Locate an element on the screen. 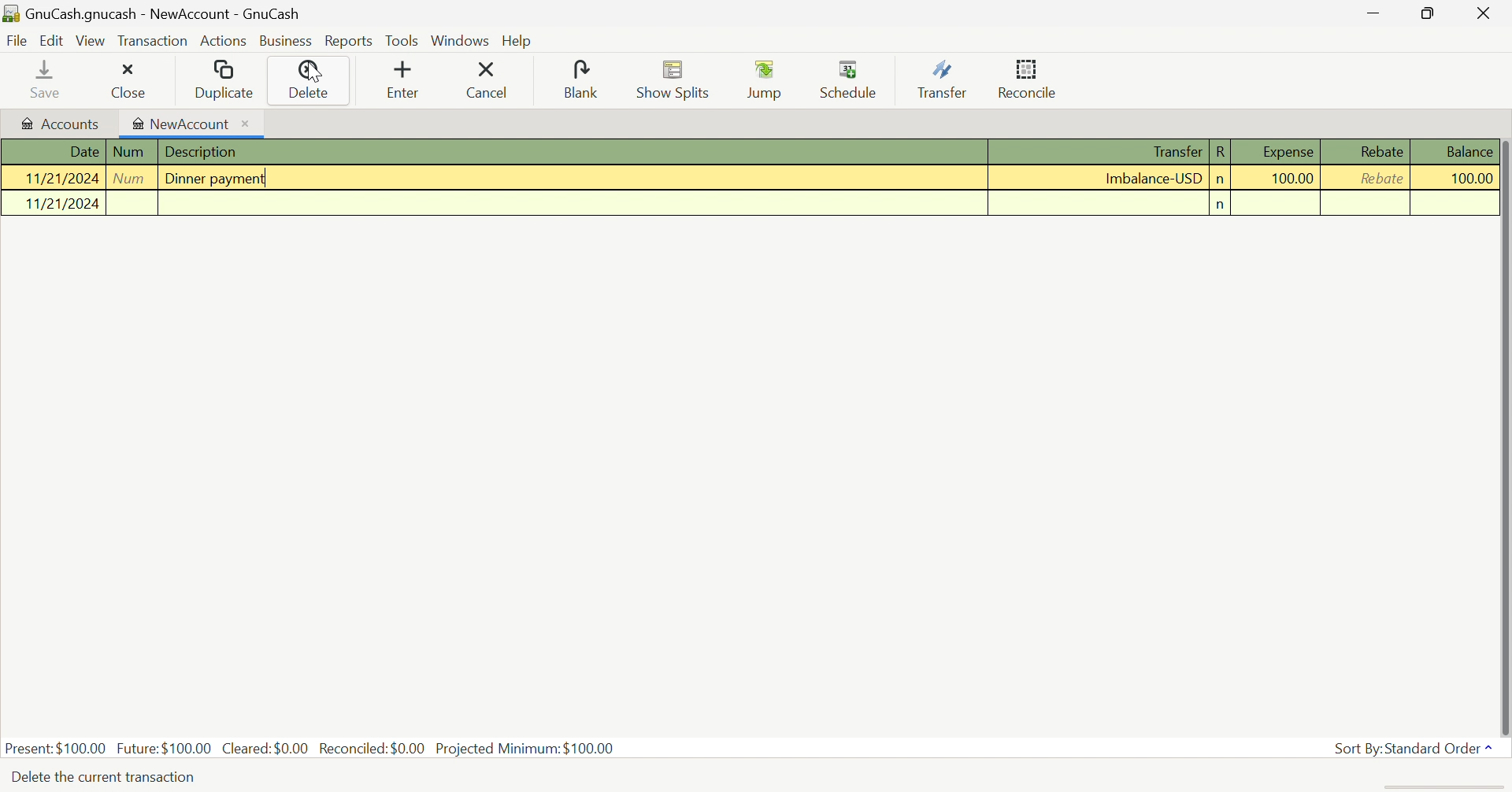 This screenshot has width=1512, height=792. Future: $100.00 is located at coordinates (164, 747).